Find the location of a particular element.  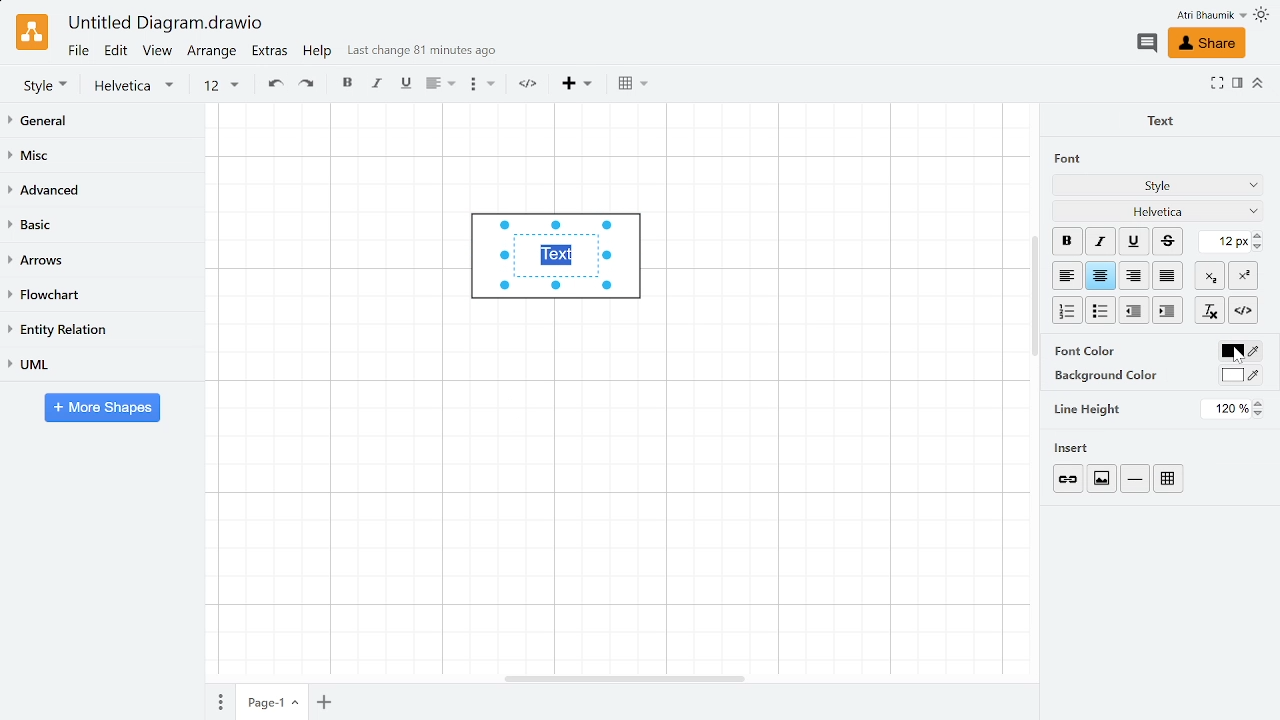

Line is located at coordinates (1135, 479).